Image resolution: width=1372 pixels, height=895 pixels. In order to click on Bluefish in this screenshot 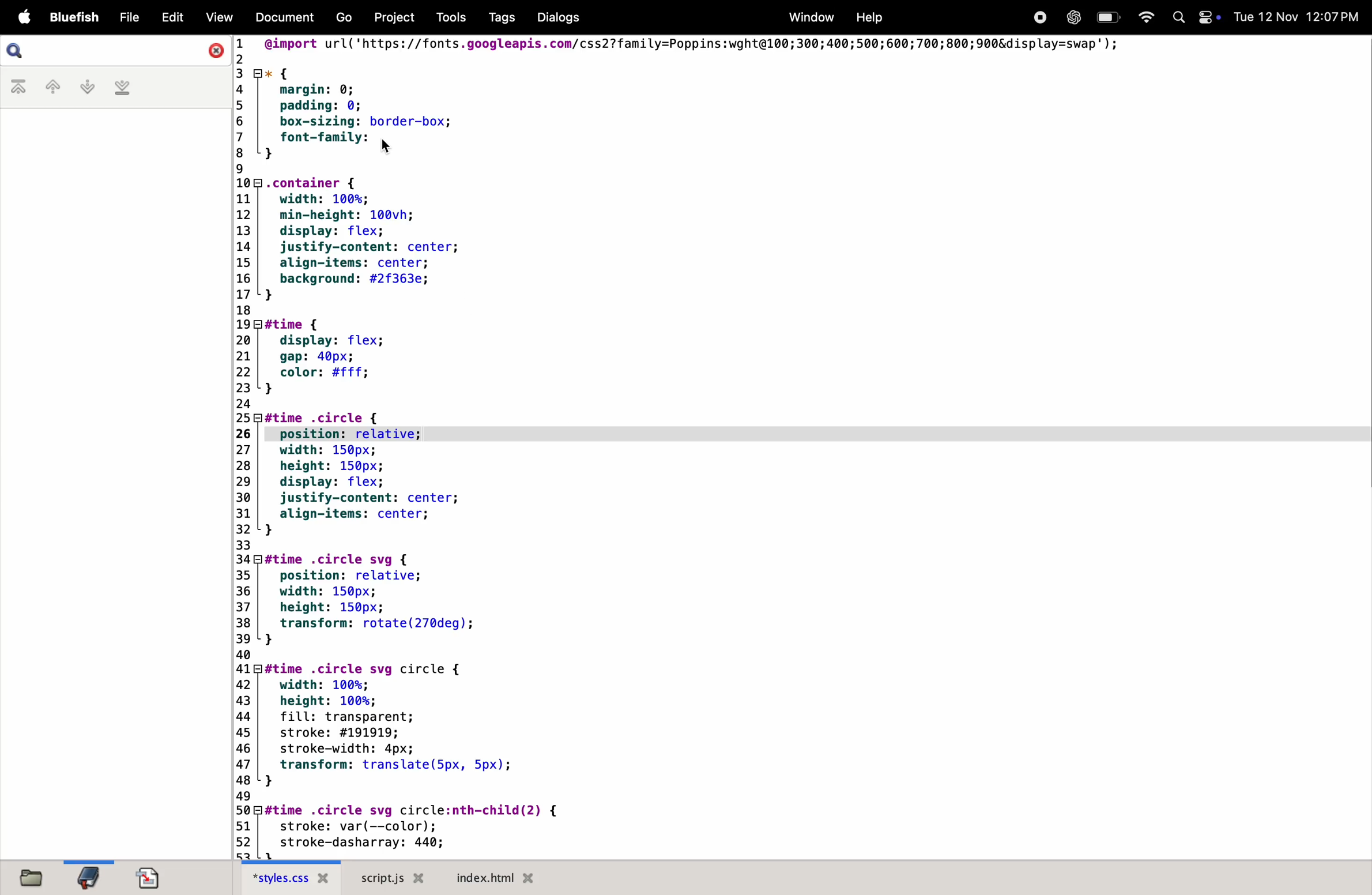, I will do `click(77, 17)`.